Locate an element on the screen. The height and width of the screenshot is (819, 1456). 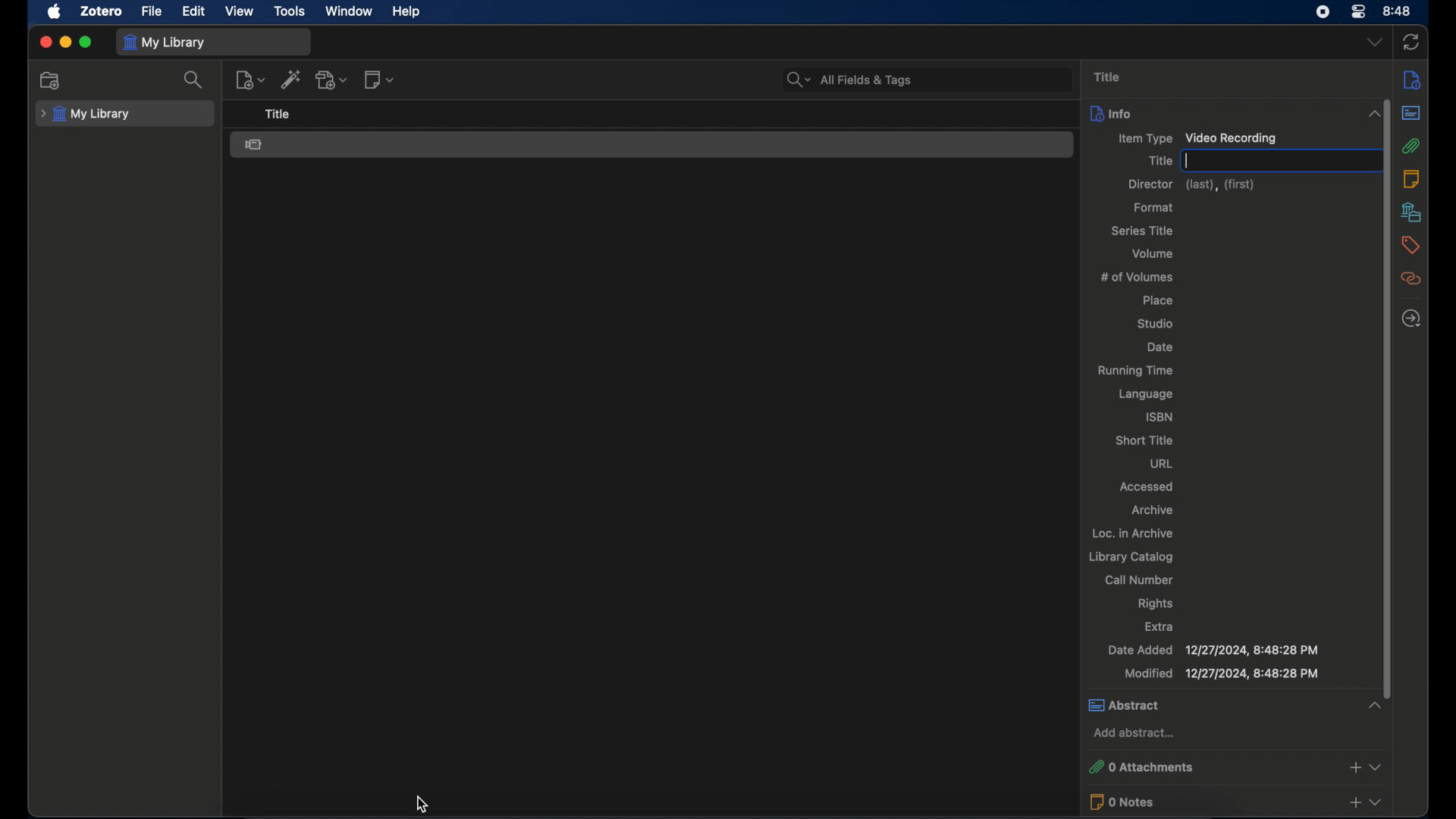
control center is located at coordinates (1359, 12).